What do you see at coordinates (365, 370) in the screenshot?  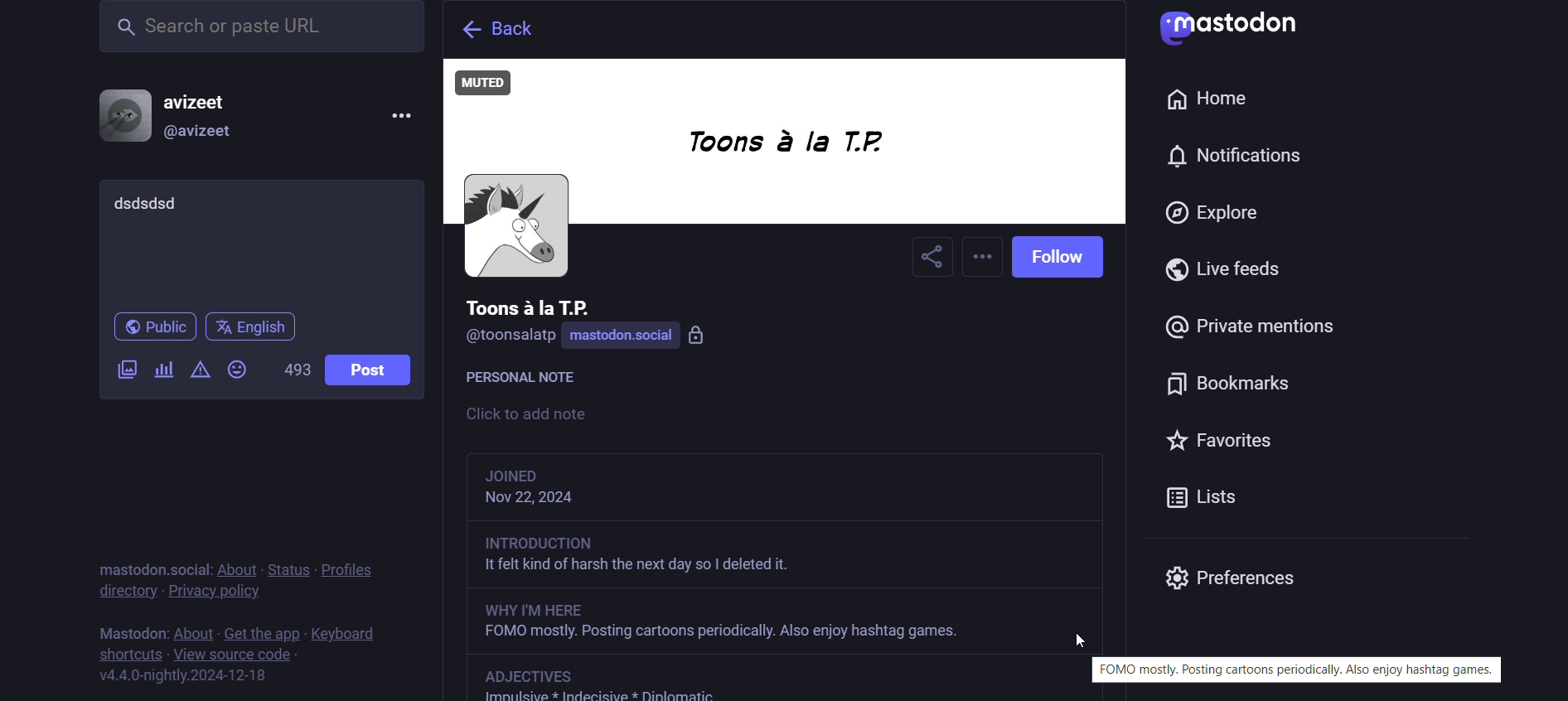 I see `post` at bounding box center [365, 370].